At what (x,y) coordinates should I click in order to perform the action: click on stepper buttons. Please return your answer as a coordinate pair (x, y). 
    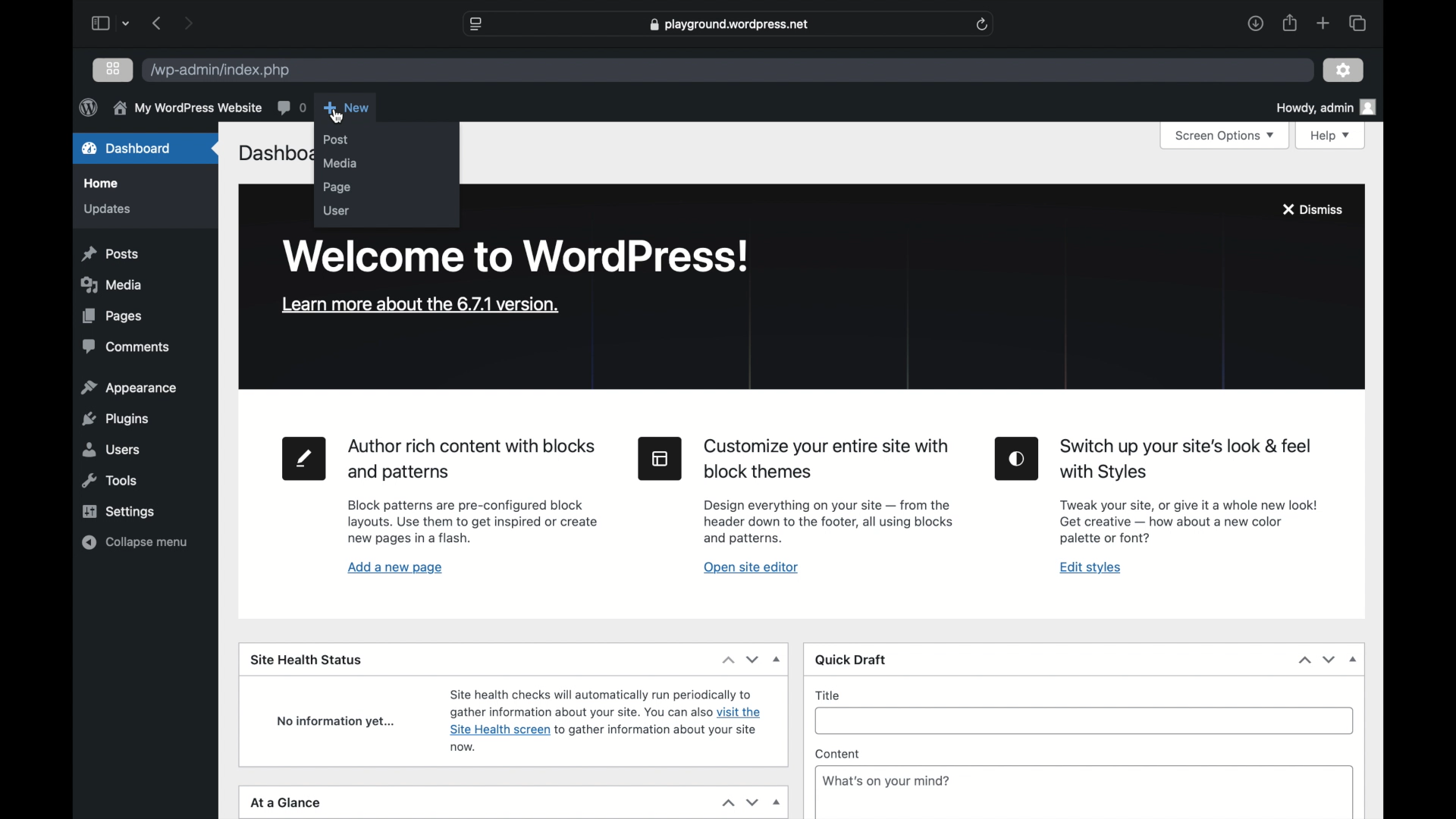
    Looking at the image, I should click on (1319, 660).